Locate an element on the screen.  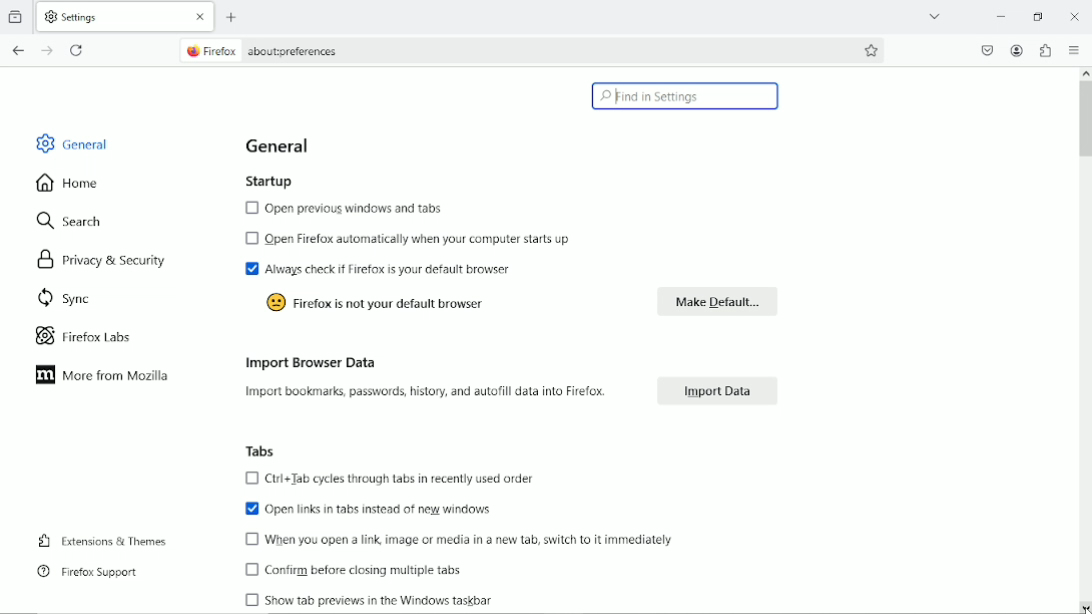
startup is located at coordinates (268, 181).